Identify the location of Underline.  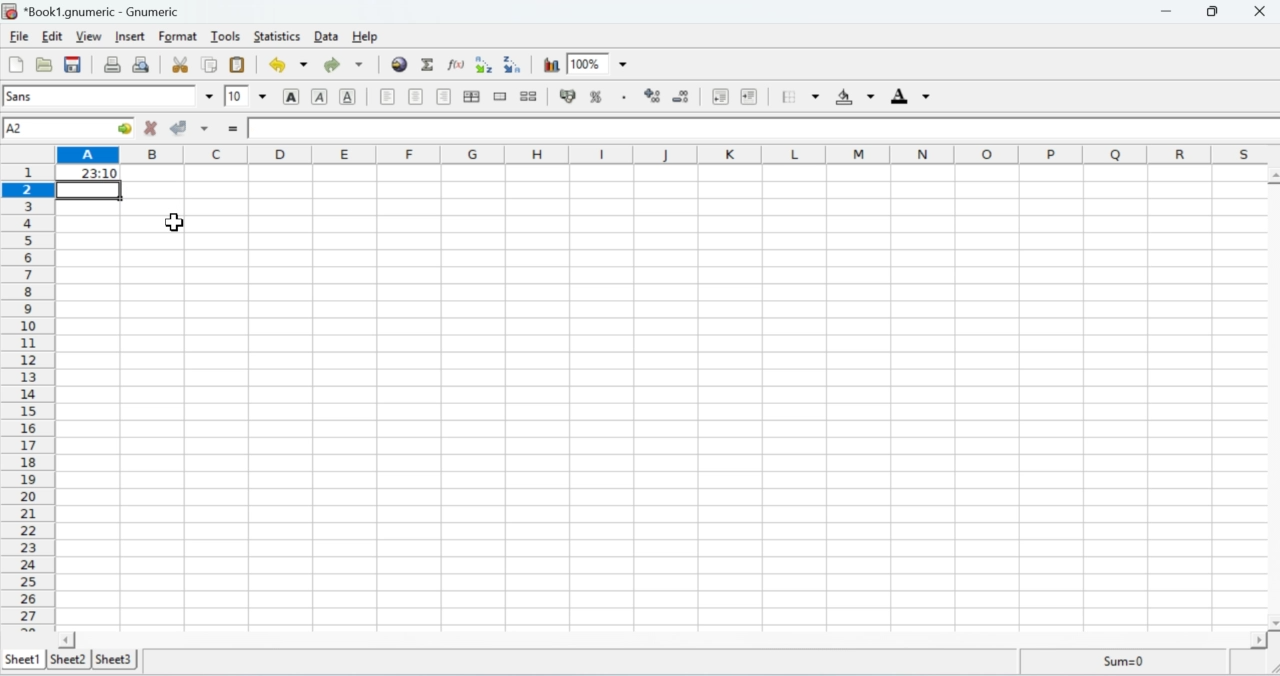
(349, 97).